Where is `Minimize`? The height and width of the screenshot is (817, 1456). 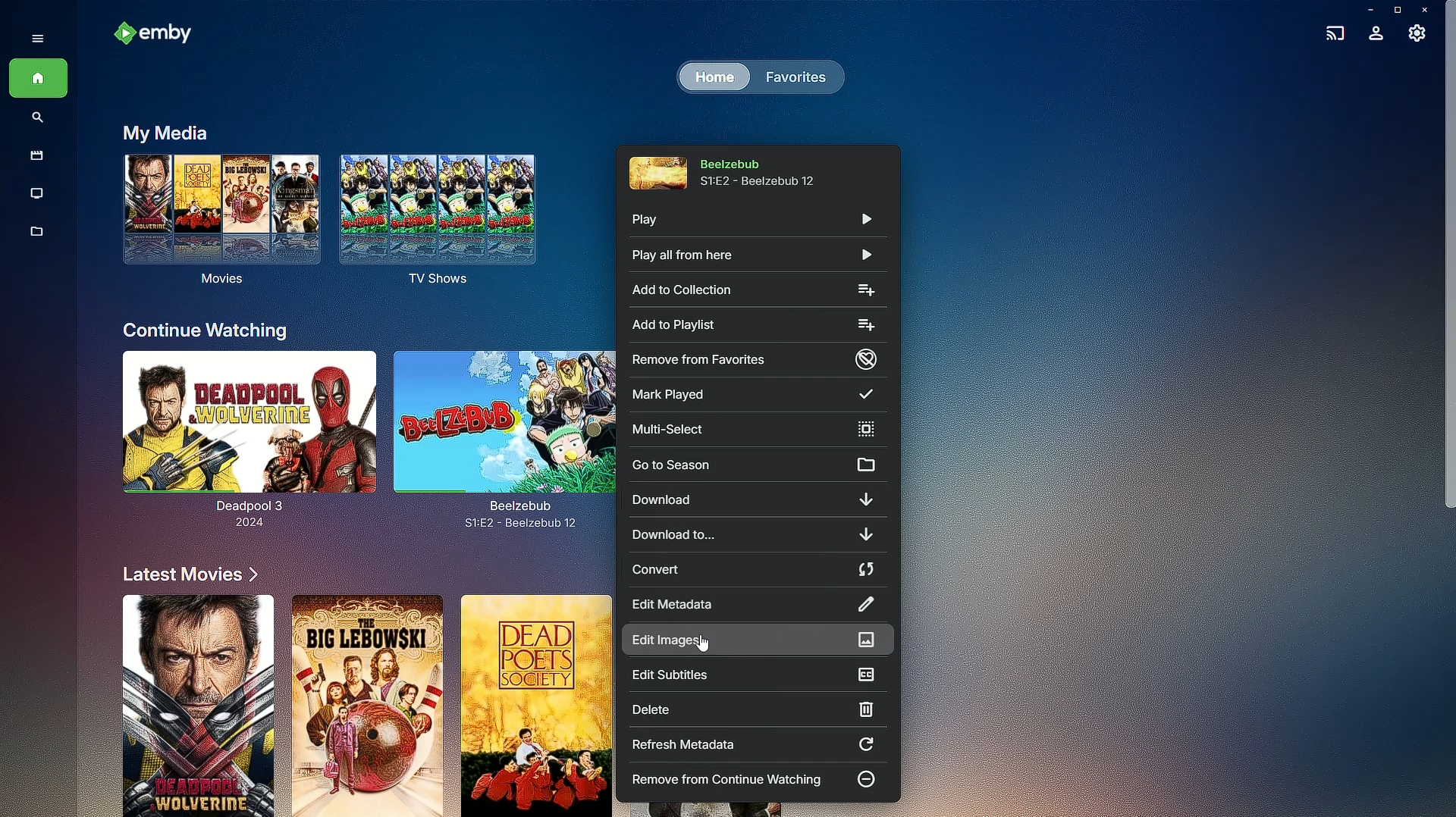
Minimize is located at coordinates (1366, 10).